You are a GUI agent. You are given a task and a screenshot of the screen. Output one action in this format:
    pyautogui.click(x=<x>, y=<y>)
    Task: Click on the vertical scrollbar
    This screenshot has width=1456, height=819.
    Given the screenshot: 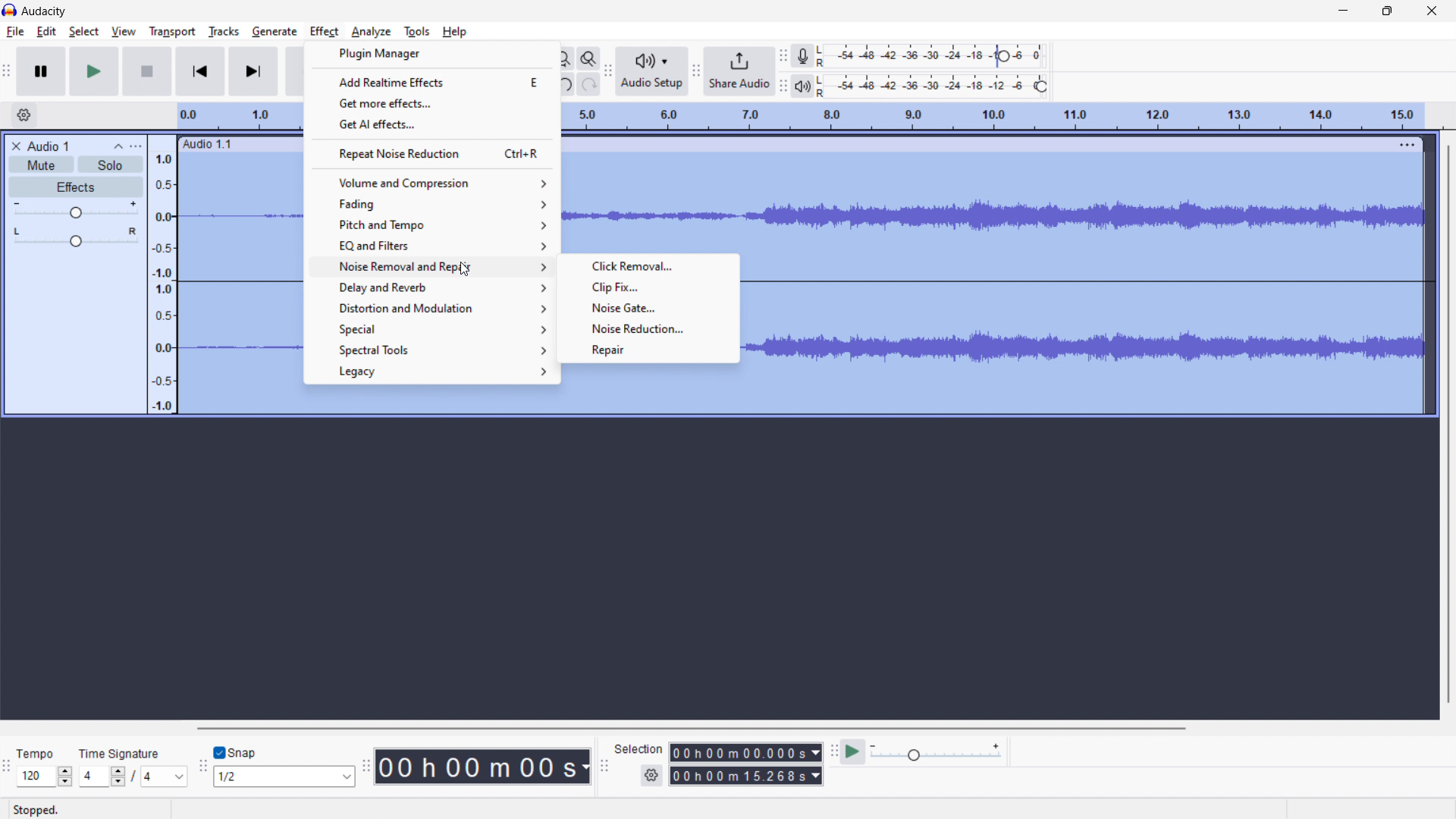 What is the action you would take?
    pyautogui.click(x=1451, y=424)
    